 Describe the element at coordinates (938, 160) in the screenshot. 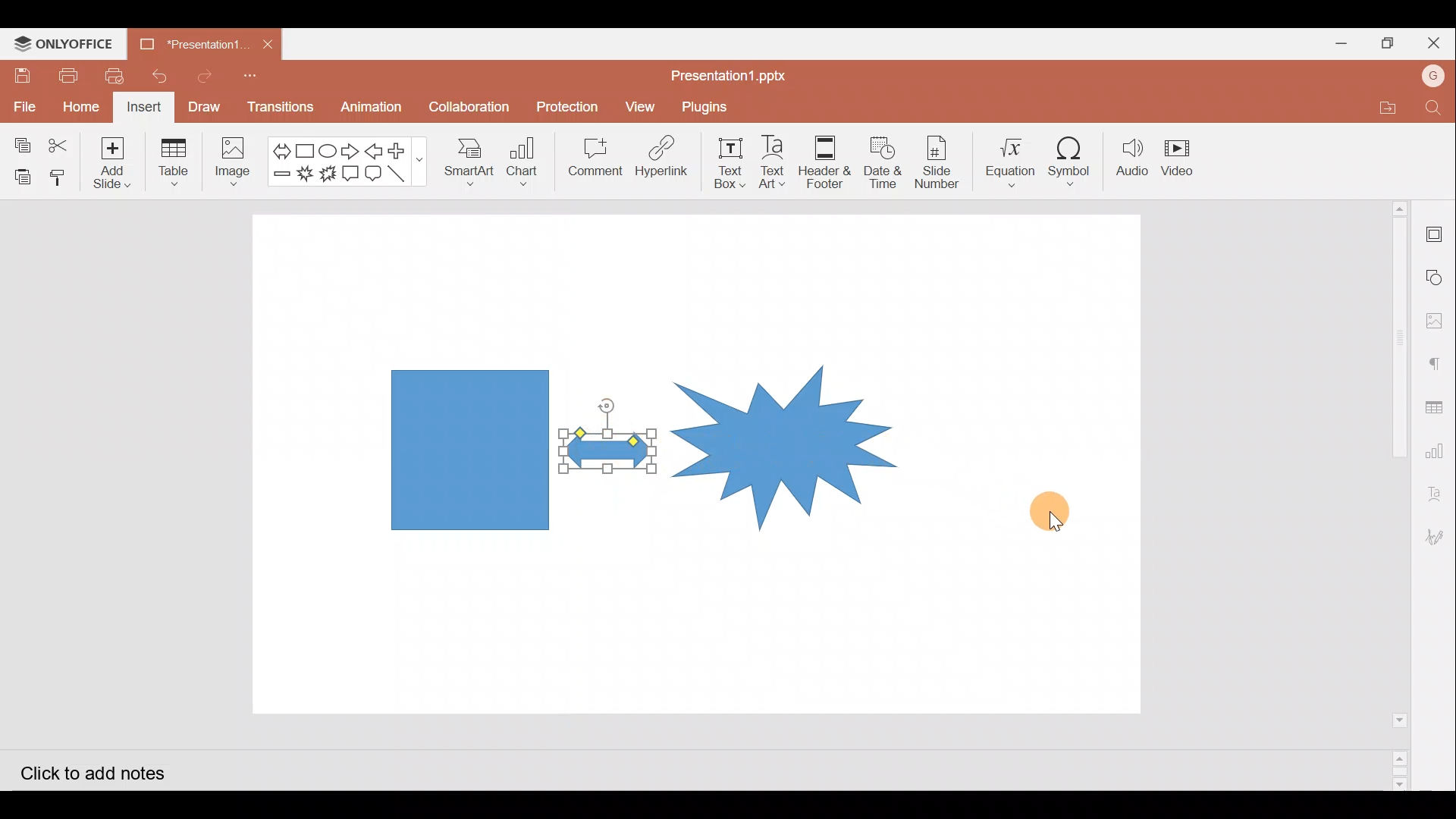

I see `Slide number` at that location.